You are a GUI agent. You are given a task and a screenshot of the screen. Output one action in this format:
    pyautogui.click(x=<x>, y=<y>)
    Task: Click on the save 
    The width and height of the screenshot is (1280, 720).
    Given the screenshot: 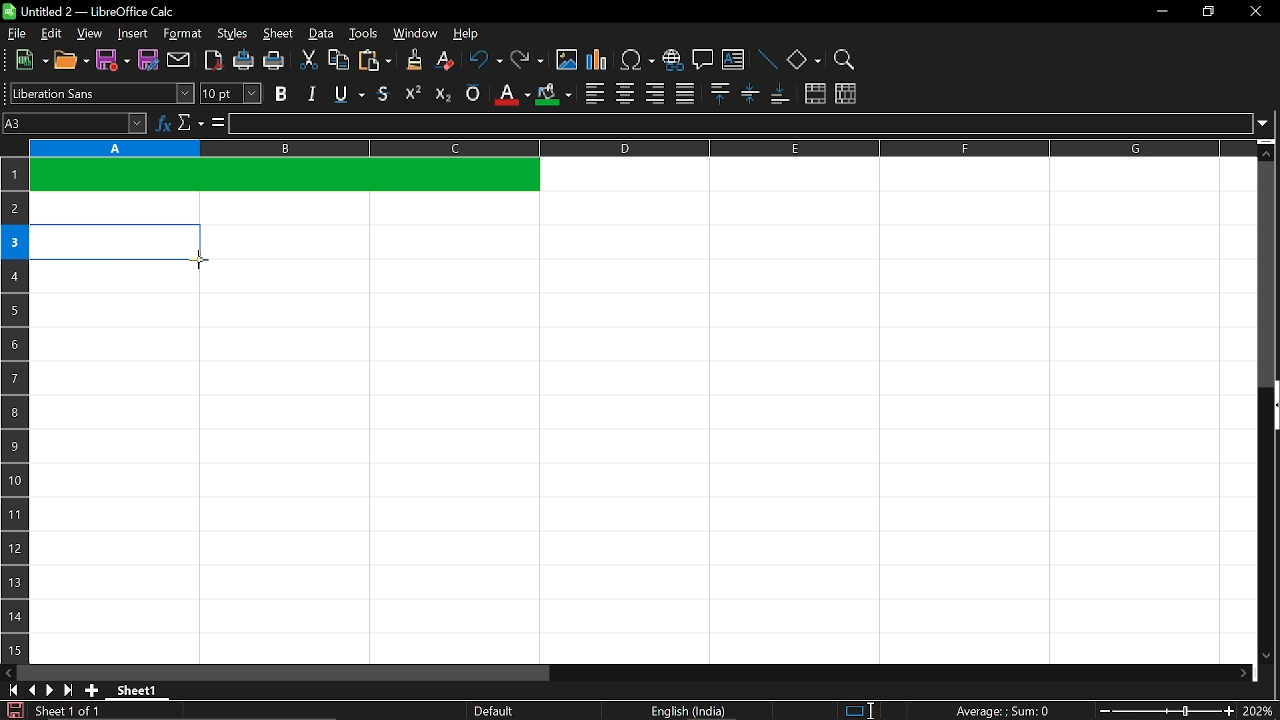 What is the action you would take?
    pyautogui.click(x=12, y=710)
    